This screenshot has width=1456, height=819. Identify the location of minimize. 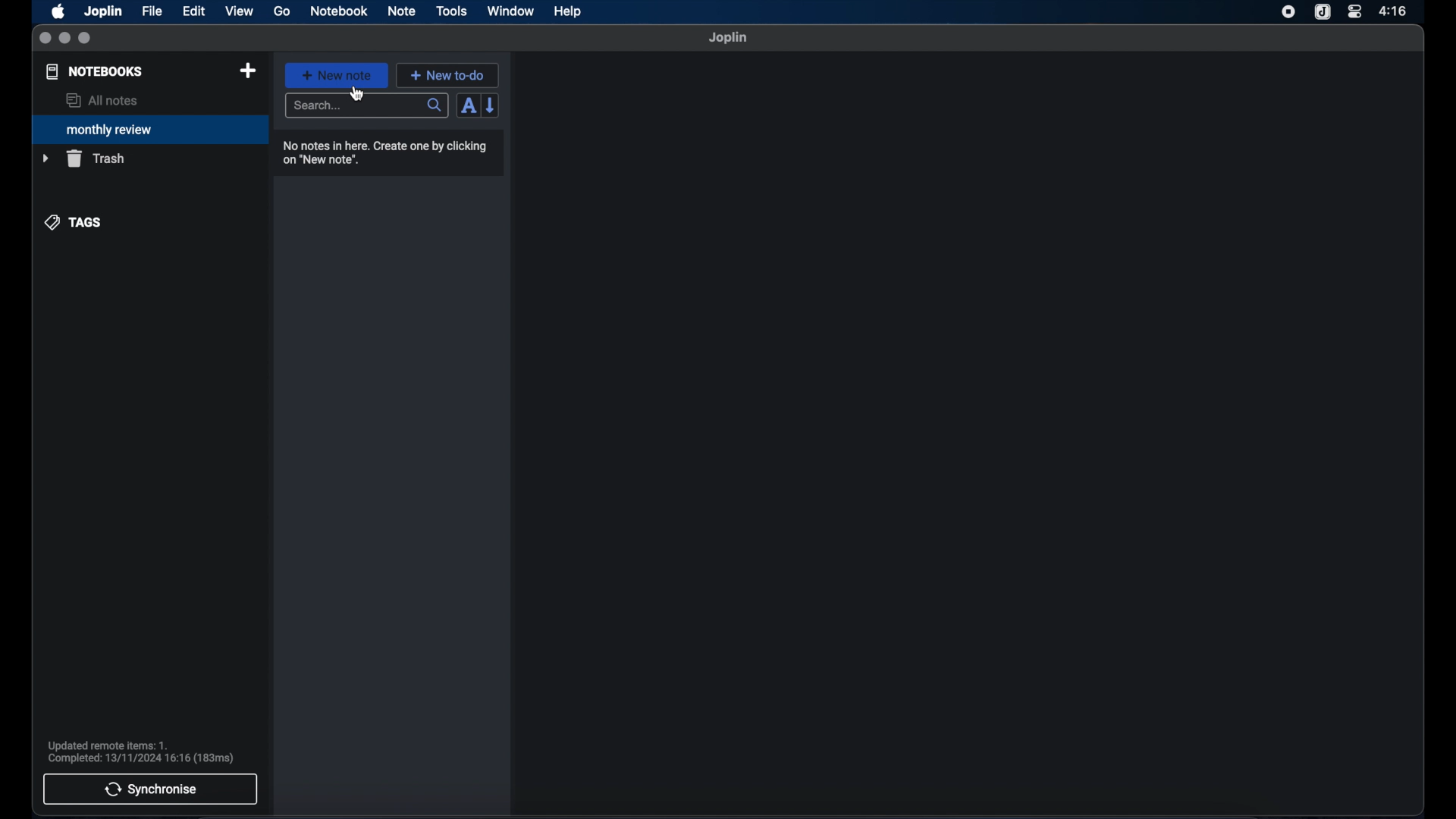
(64, 39).